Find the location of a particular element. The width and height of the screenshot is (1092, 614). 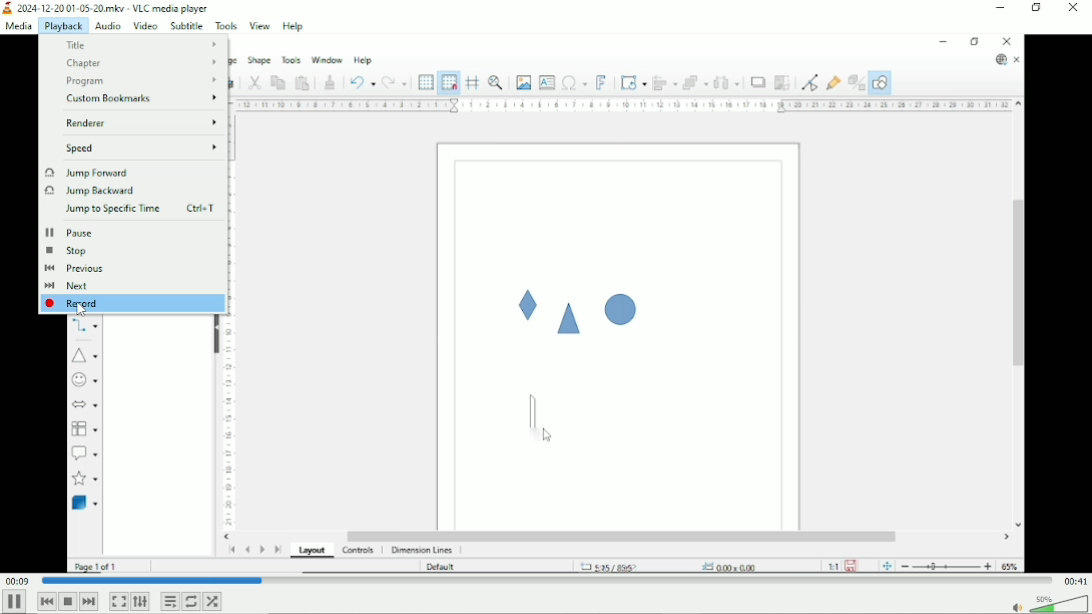

Subtitle is located at coordinates (188, 26).